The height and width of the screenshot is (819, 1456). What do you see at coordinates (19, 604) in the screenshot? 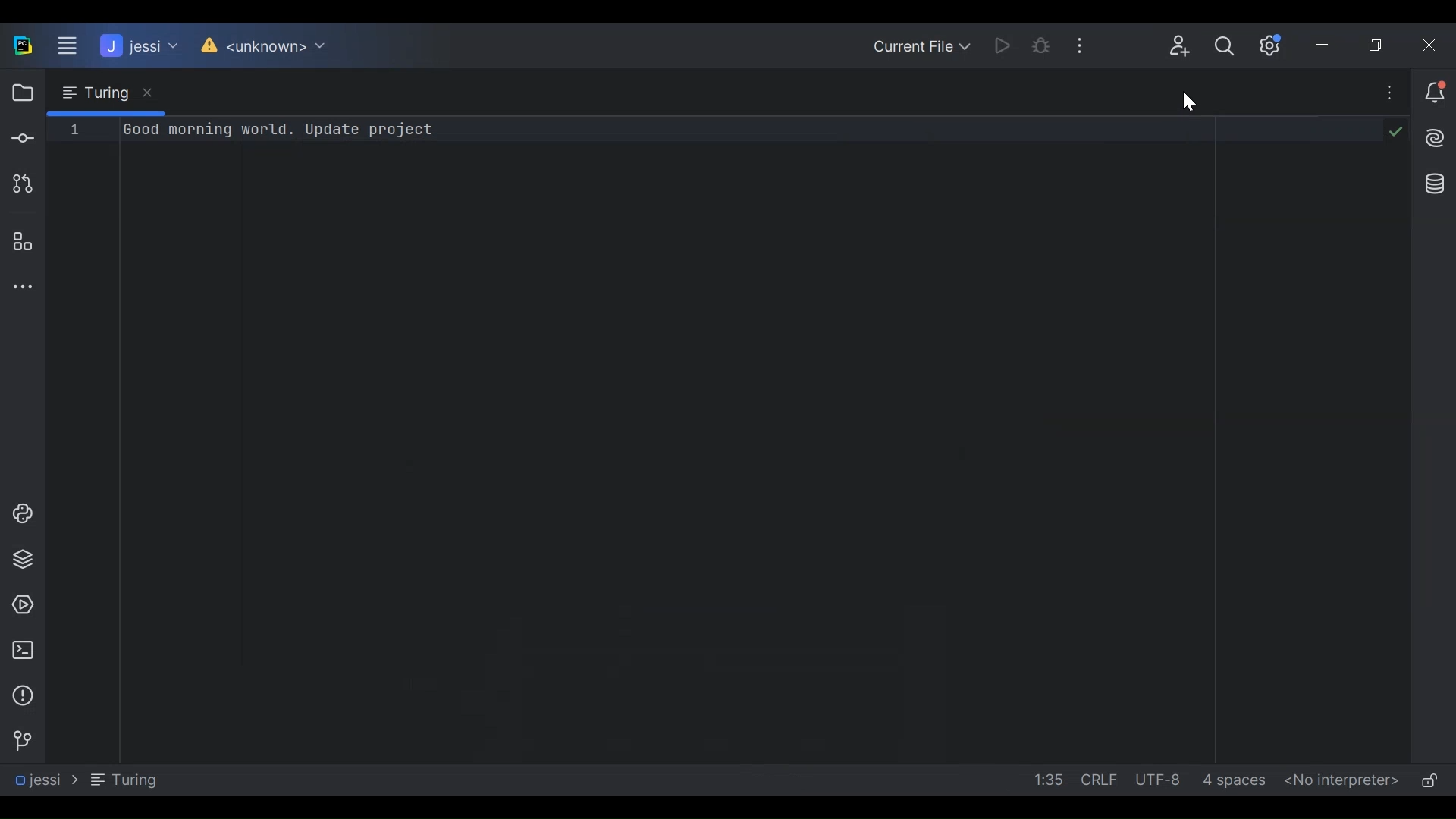
I see `Services` at bounding box center [19, 604].